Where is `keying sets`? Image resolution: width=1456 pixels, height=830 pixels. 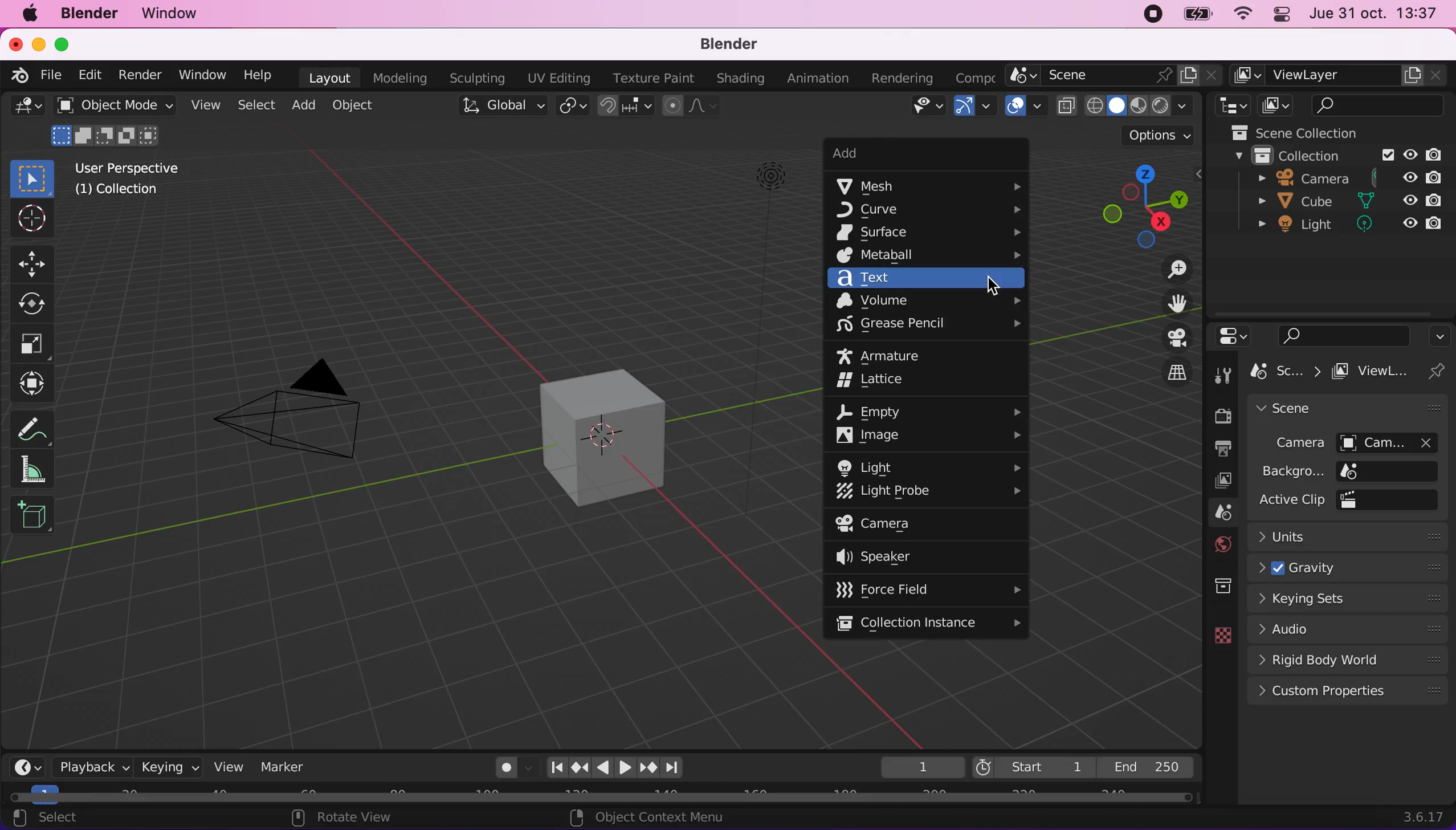 keying sets is located at coordinates (1349, 599).